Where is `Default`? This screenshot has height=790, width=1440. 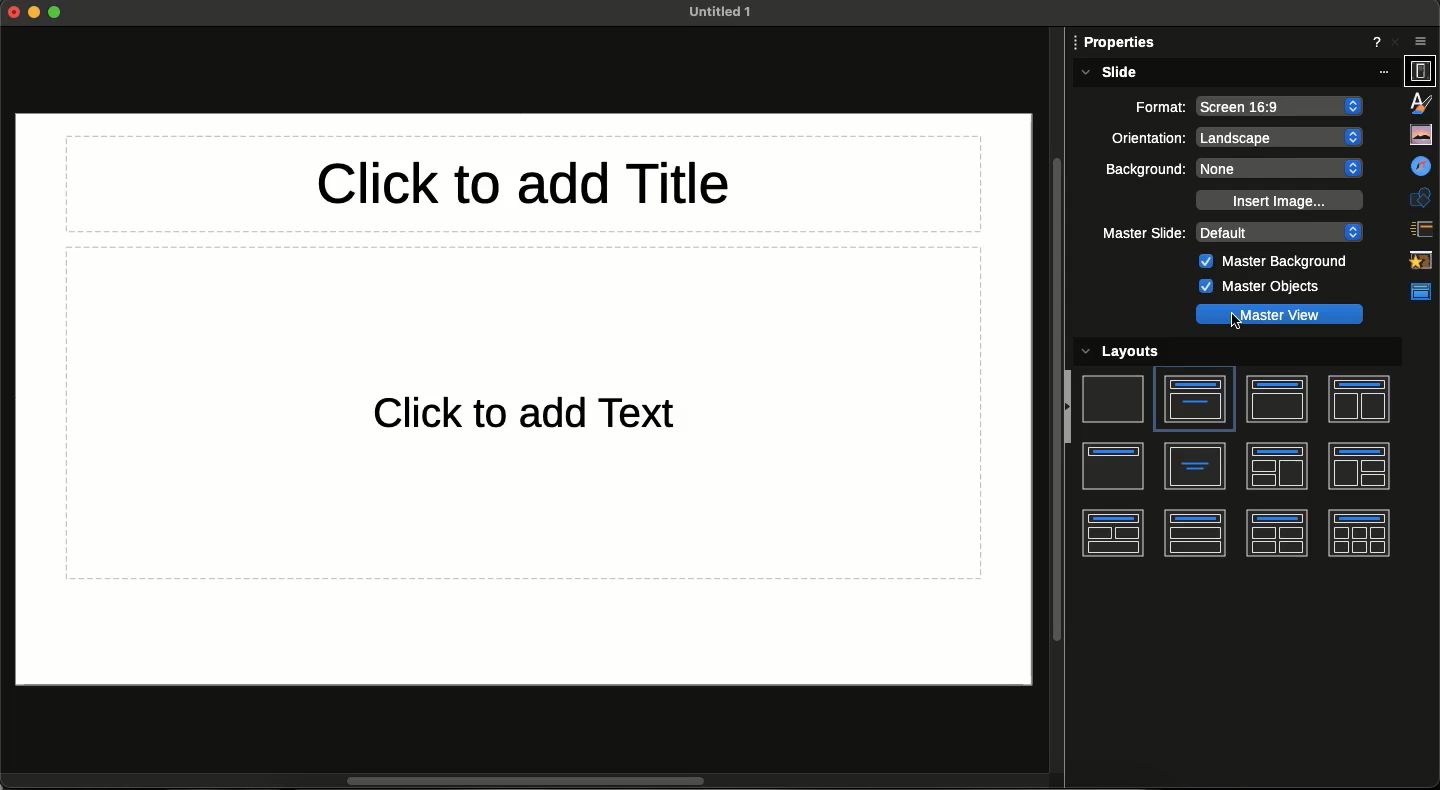 Default is located at coordinates (1280, 232).